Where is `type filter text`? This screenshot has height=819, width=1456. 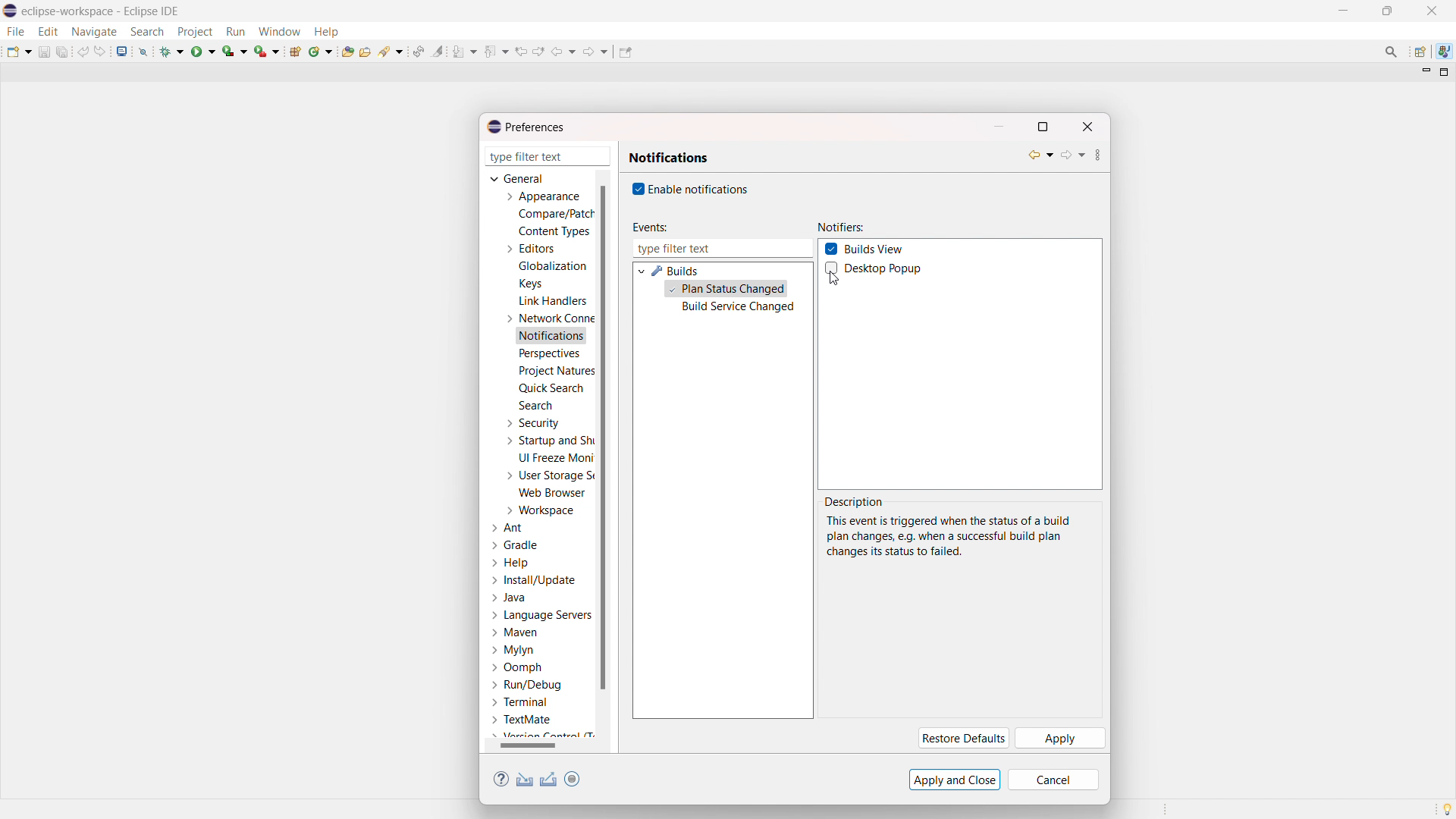 type filter text is located at coordinates (722, 249).